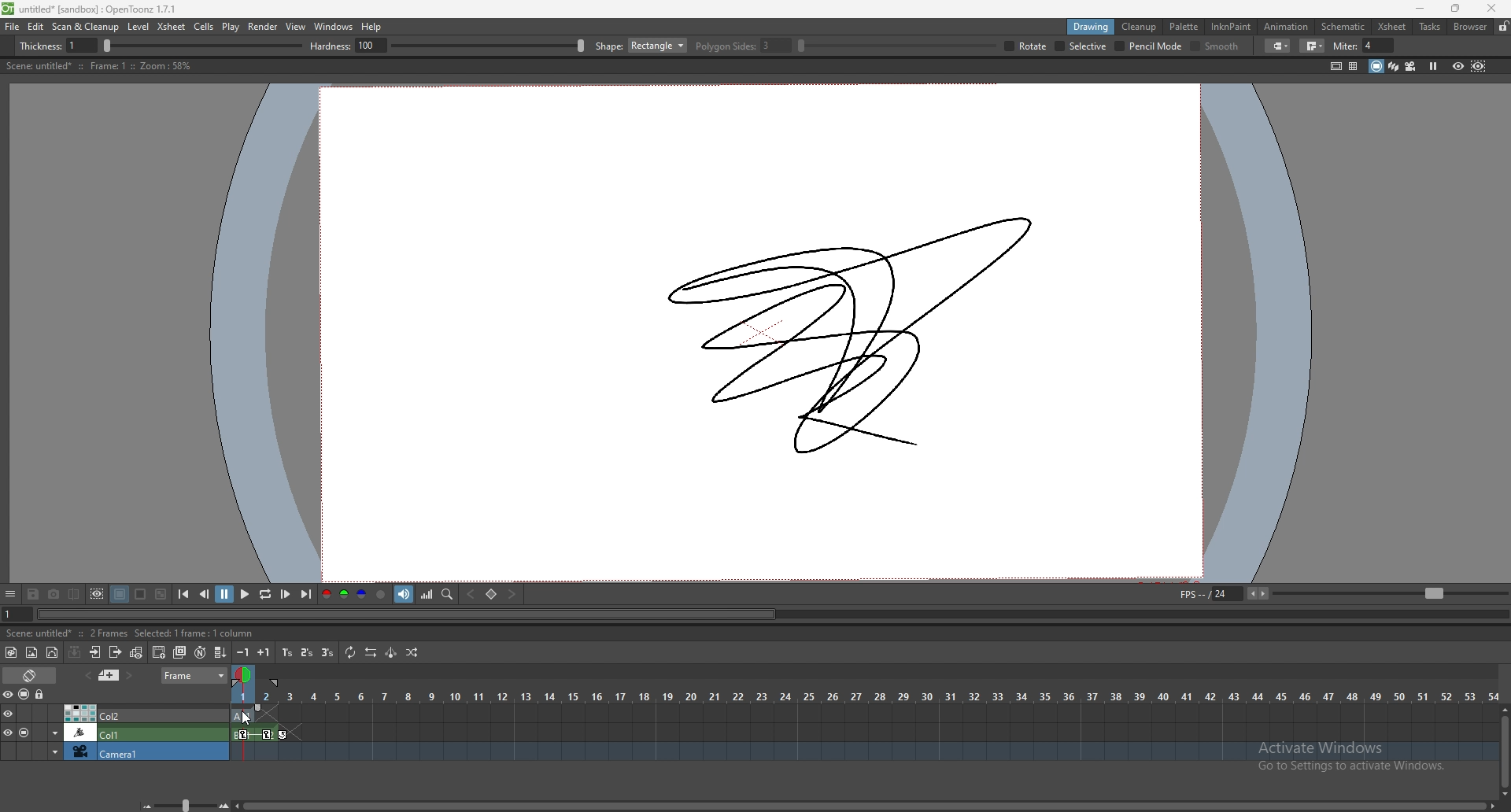  What do you see at coordinates (224, 594) in the screenshot?
I see `pause` at bounding box center [224, 594].